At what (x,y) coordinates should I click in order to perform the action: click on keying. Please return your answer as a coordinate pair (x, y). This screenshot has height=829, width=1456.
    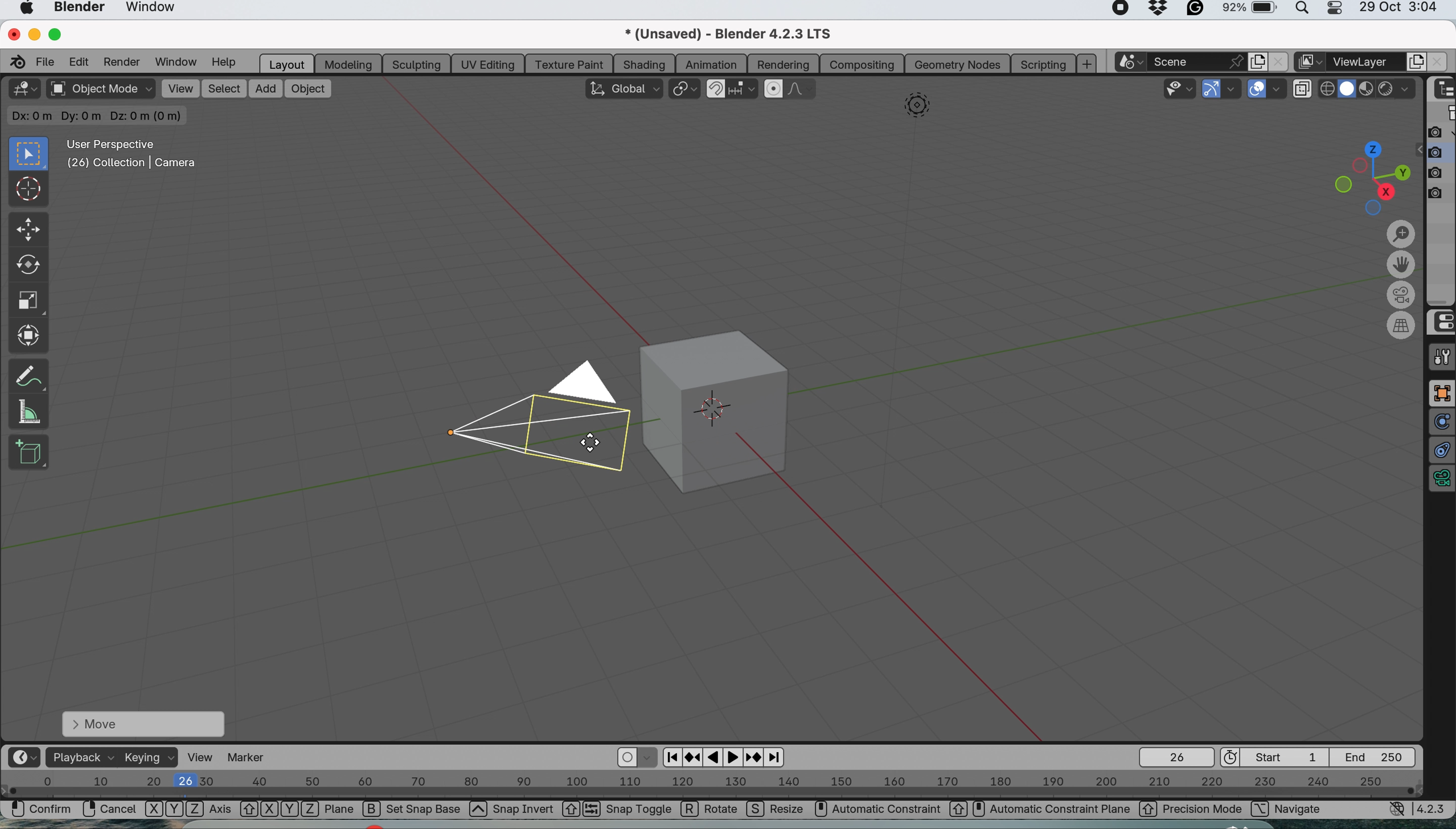
    Looking at the image, I should click on (150, 758).